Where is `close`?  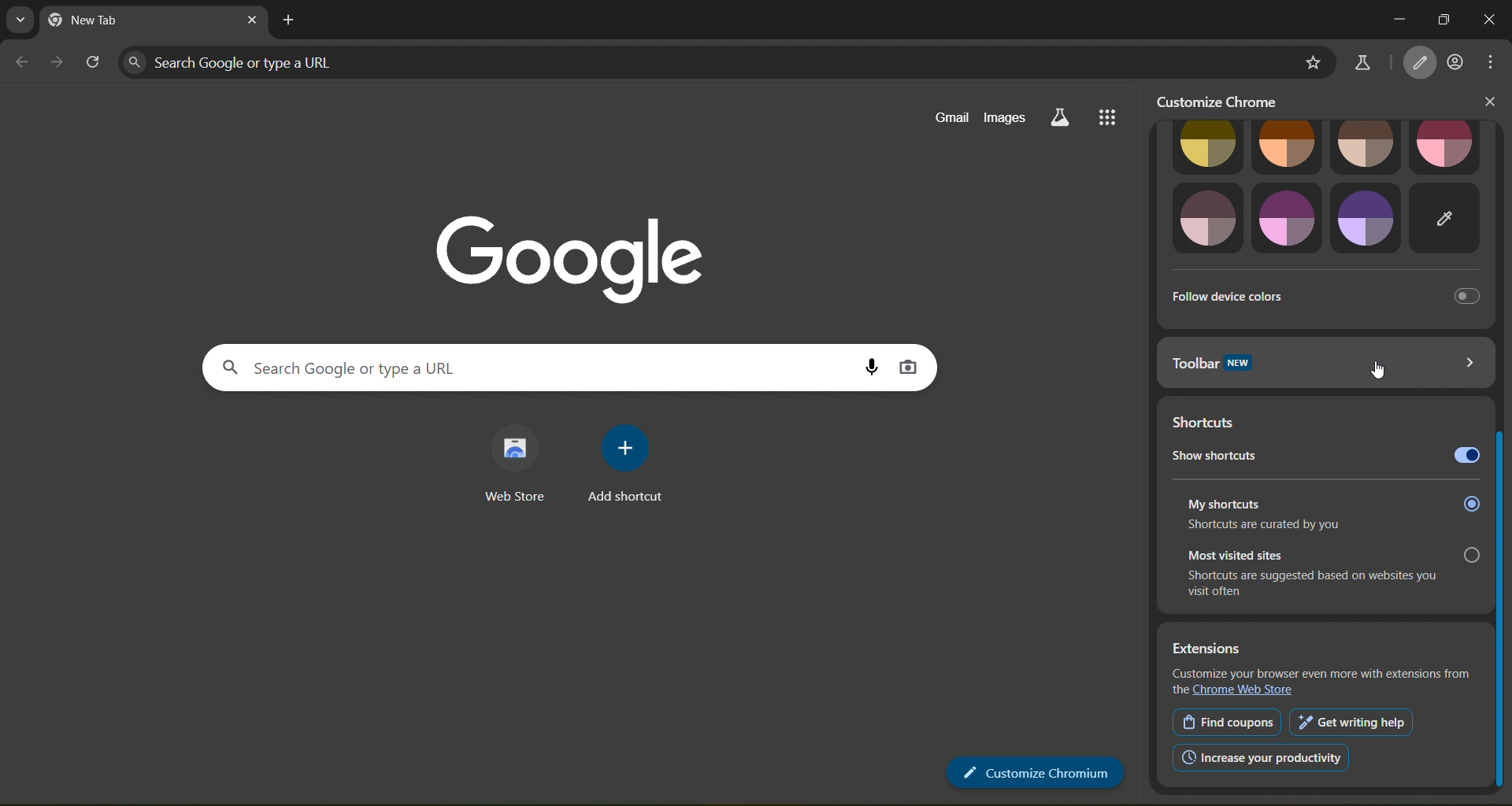 close is located at coordinates (248, 20).